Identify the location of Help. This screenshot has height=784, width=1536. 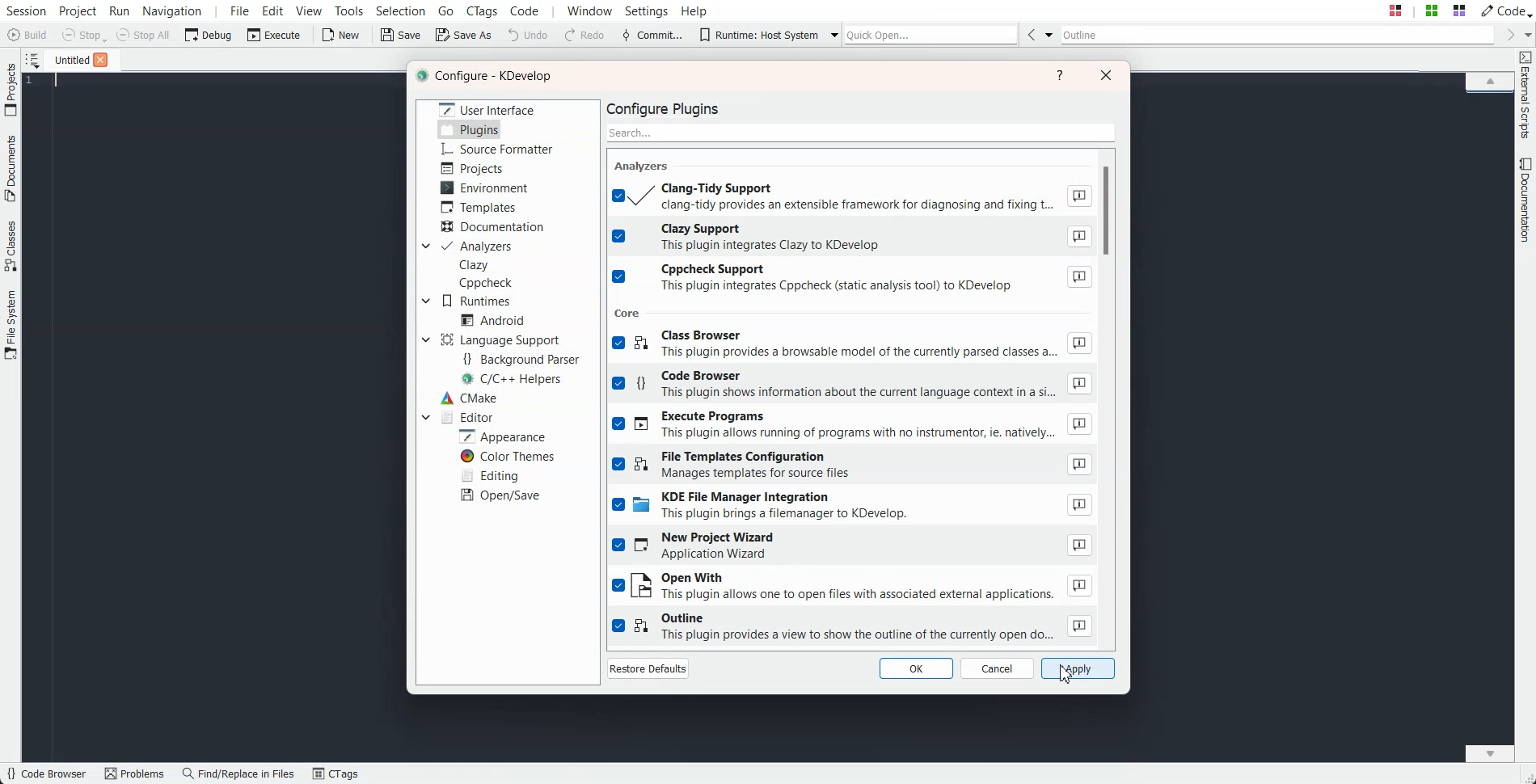
(694, 10).